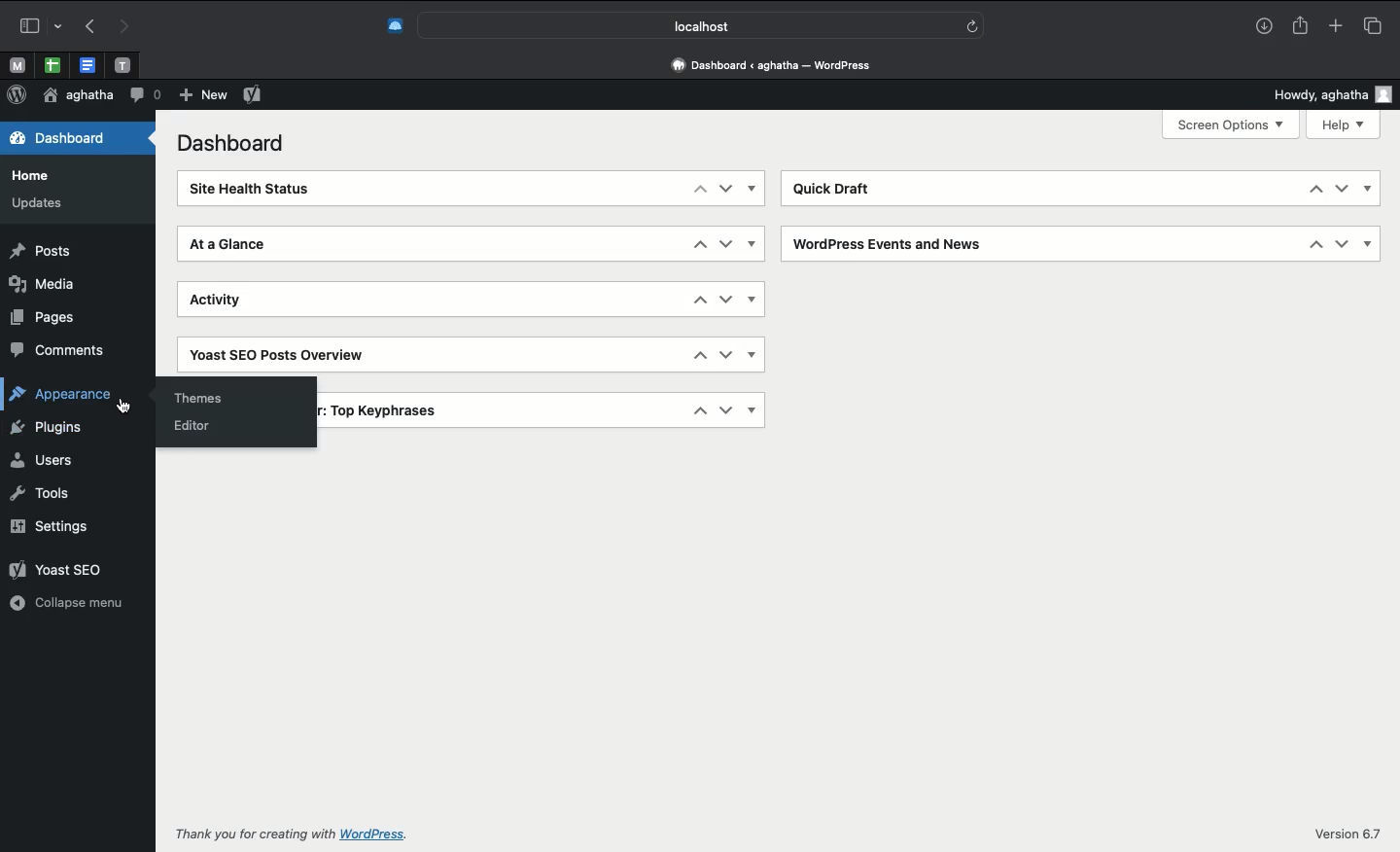 This screenshot has height=852, width=1400. What do you see at coordinates (234, 303) in the screenshot?
I see `Activity` at bounding box center [234, 303].